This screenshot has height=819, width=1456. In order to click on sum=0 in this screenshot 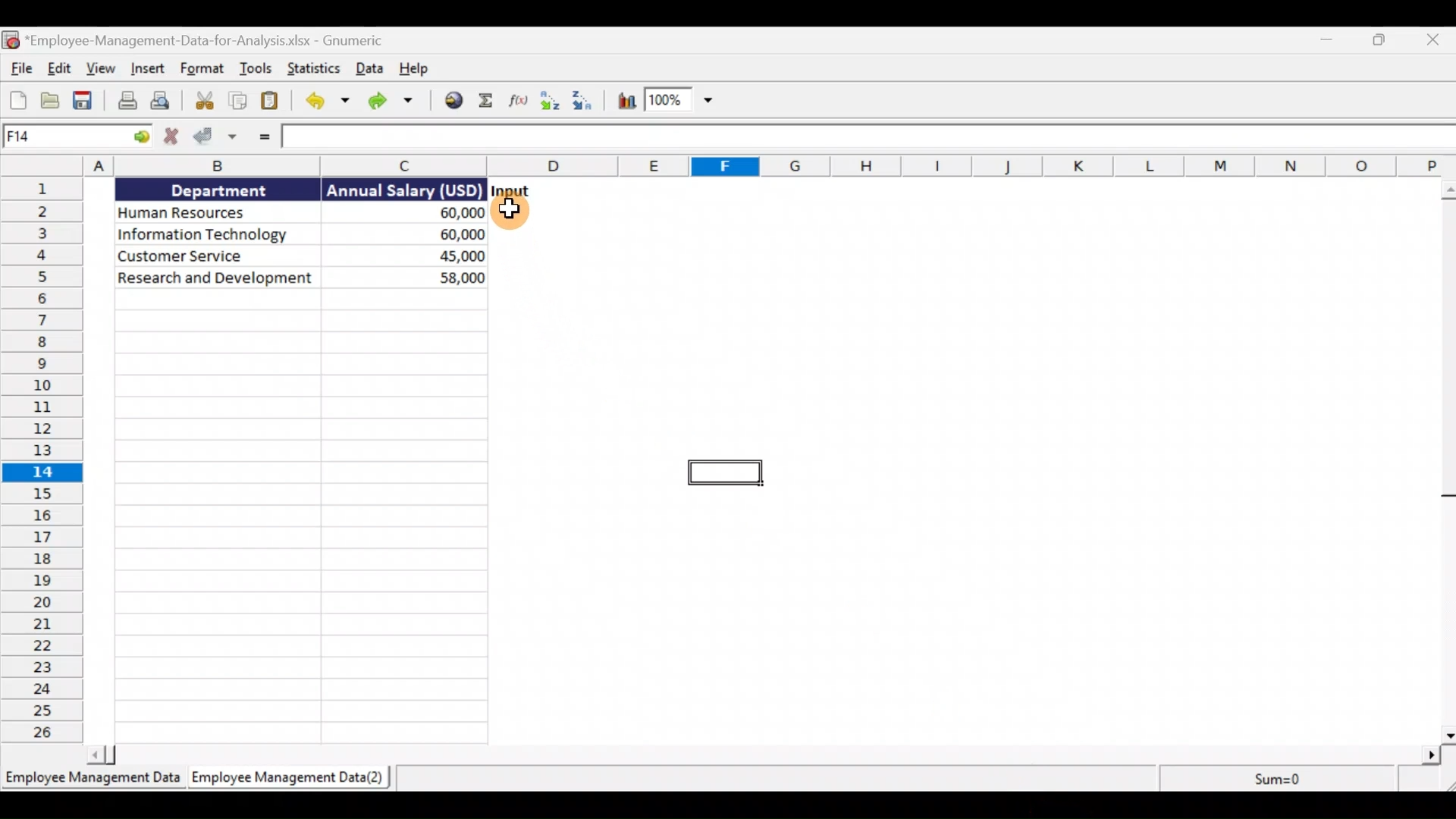, I will do `click(1276, 778)`.